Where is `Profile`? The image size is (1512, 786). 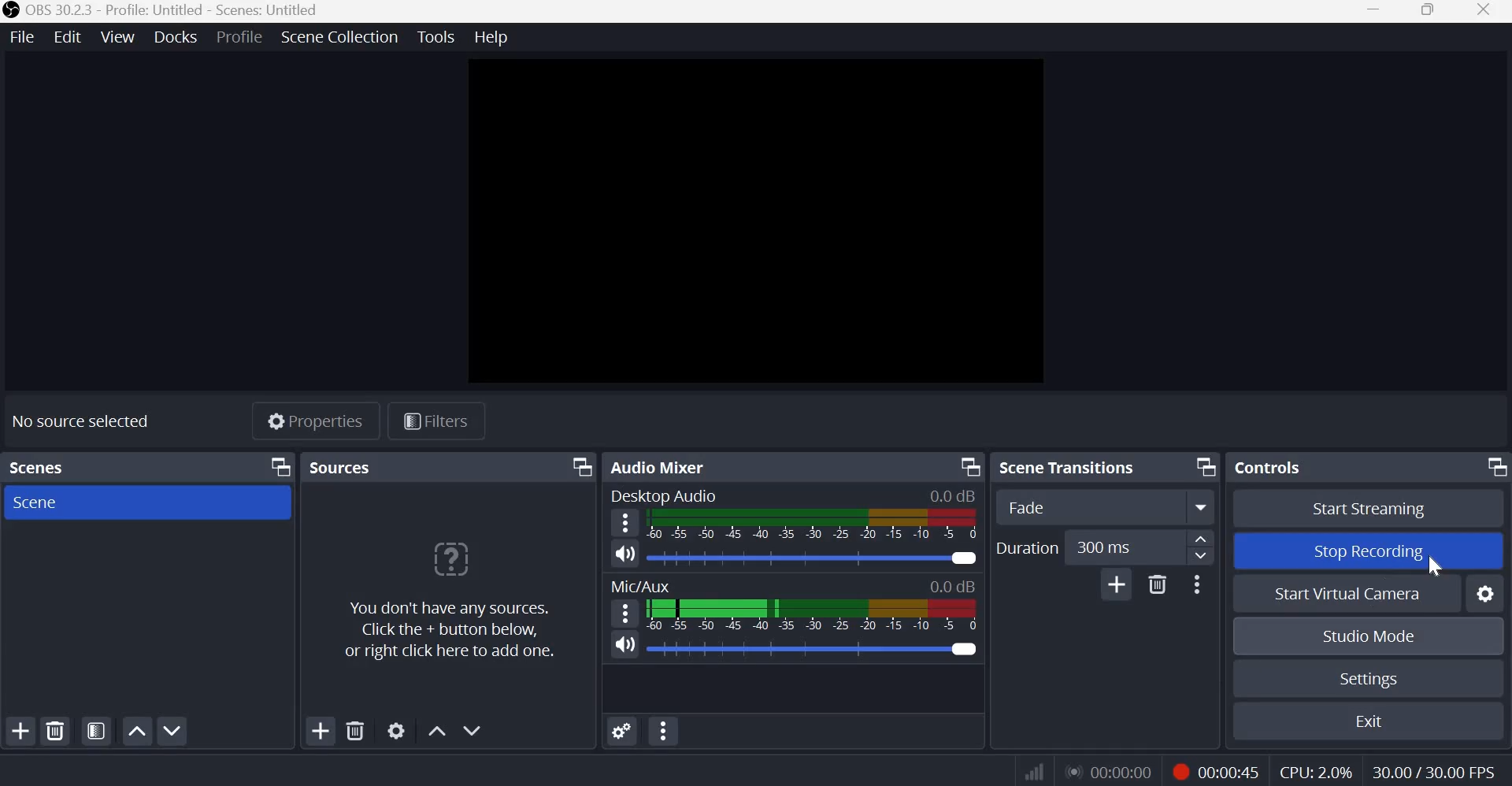
Profile is located at coordinates (243, 35).